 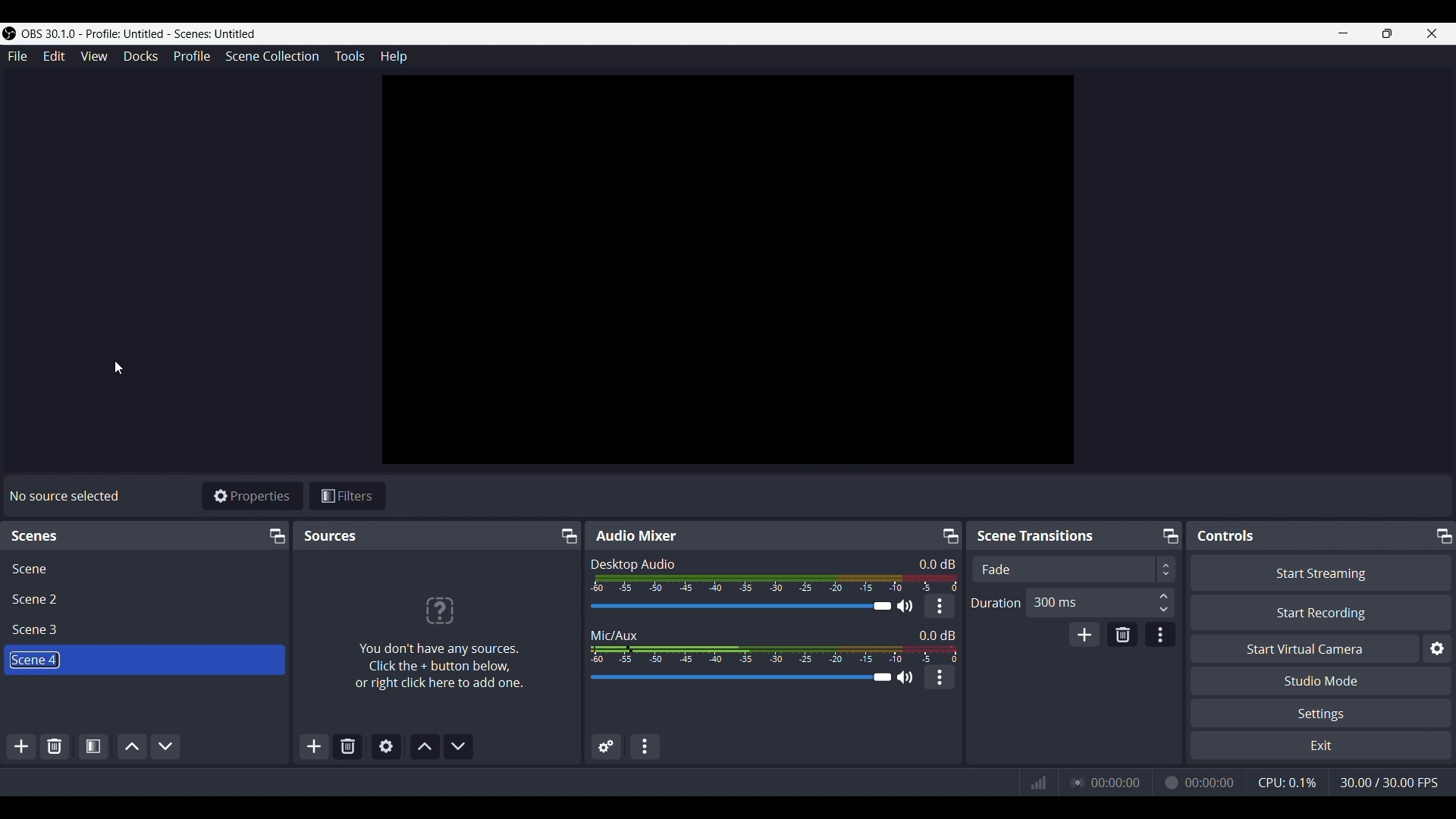 I want to click on Help, so click(x=392, y=58).